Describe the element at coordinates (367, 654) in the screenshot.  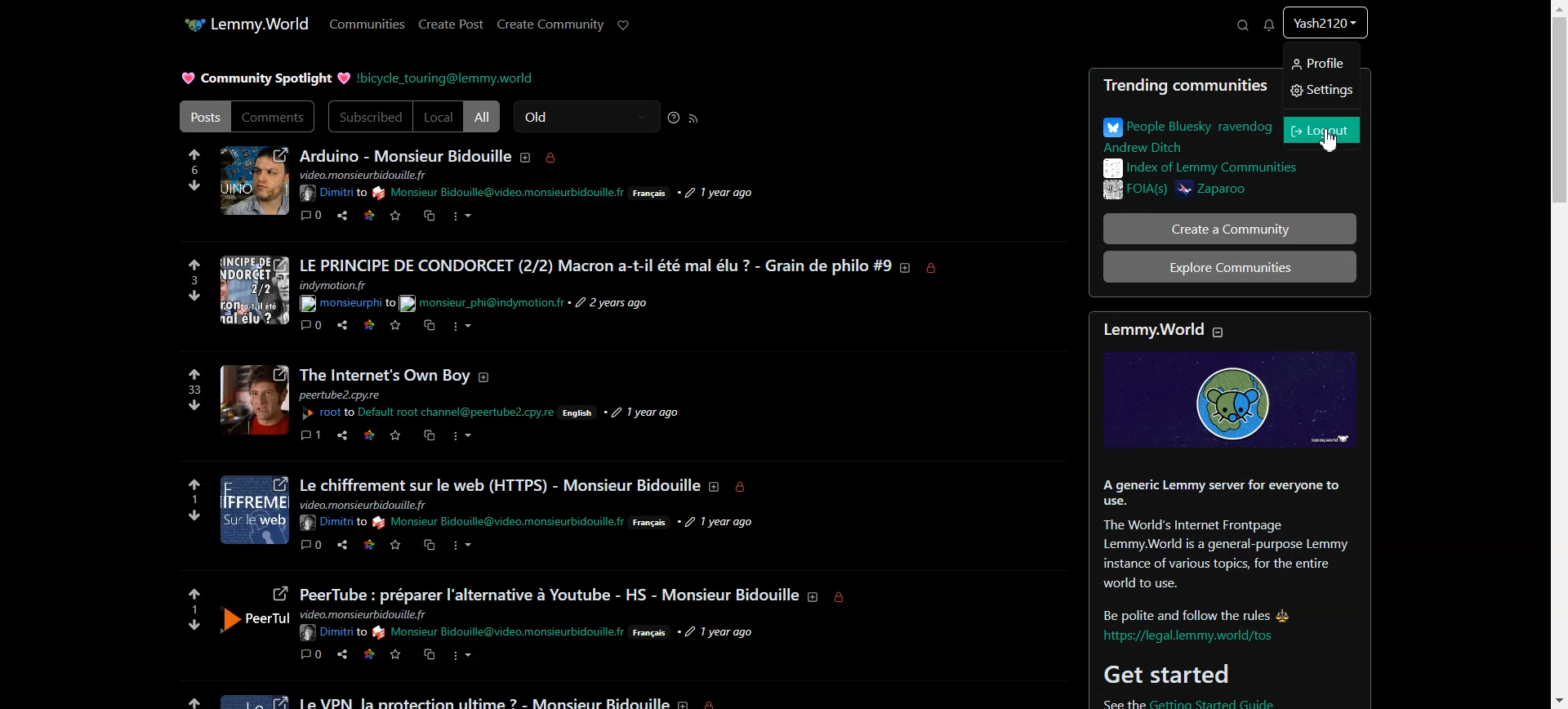
I see `link` at that location.